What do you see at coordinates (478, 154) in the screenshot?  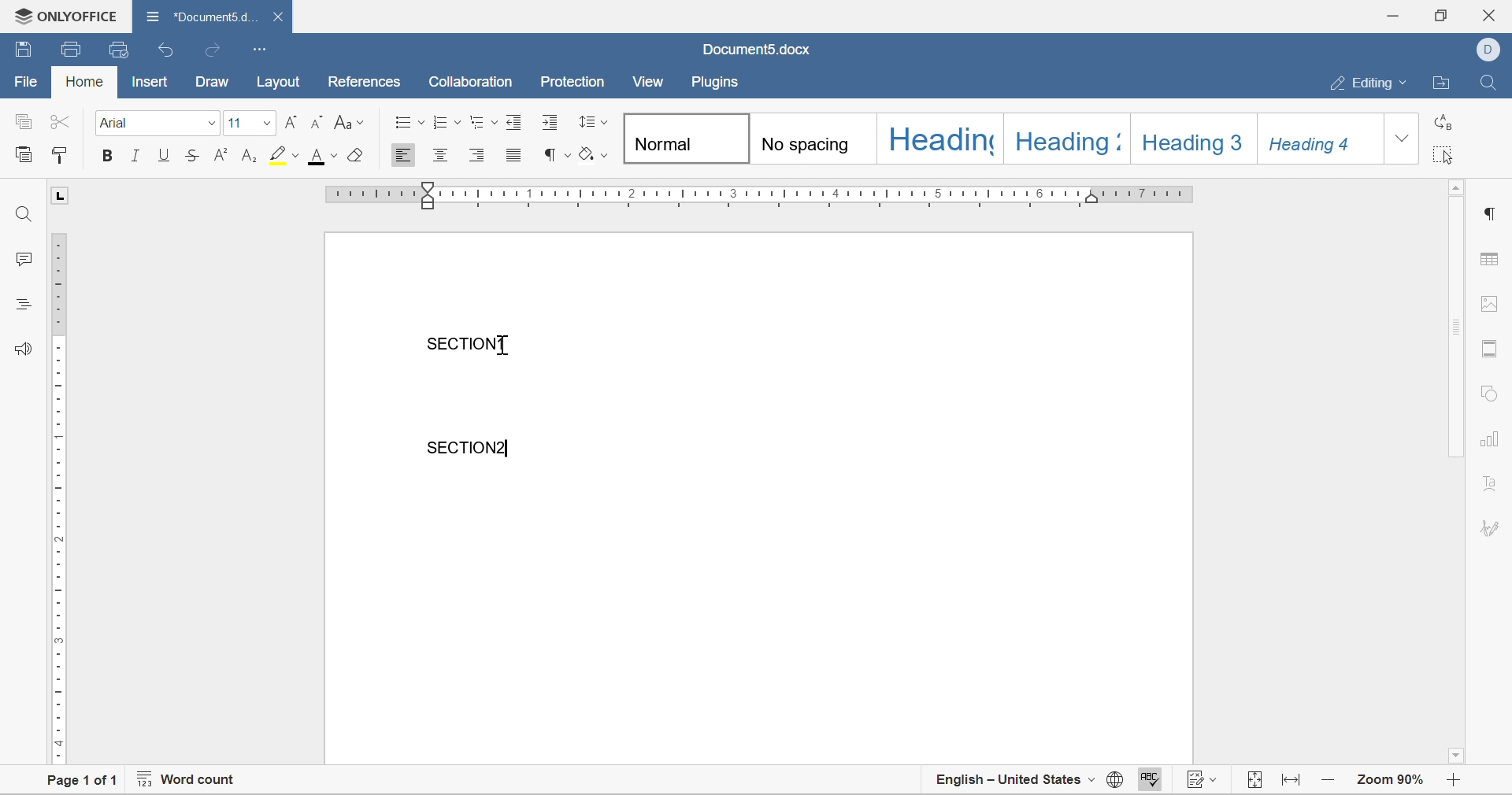 I see `Align Right` at bounding box center [478, 154].